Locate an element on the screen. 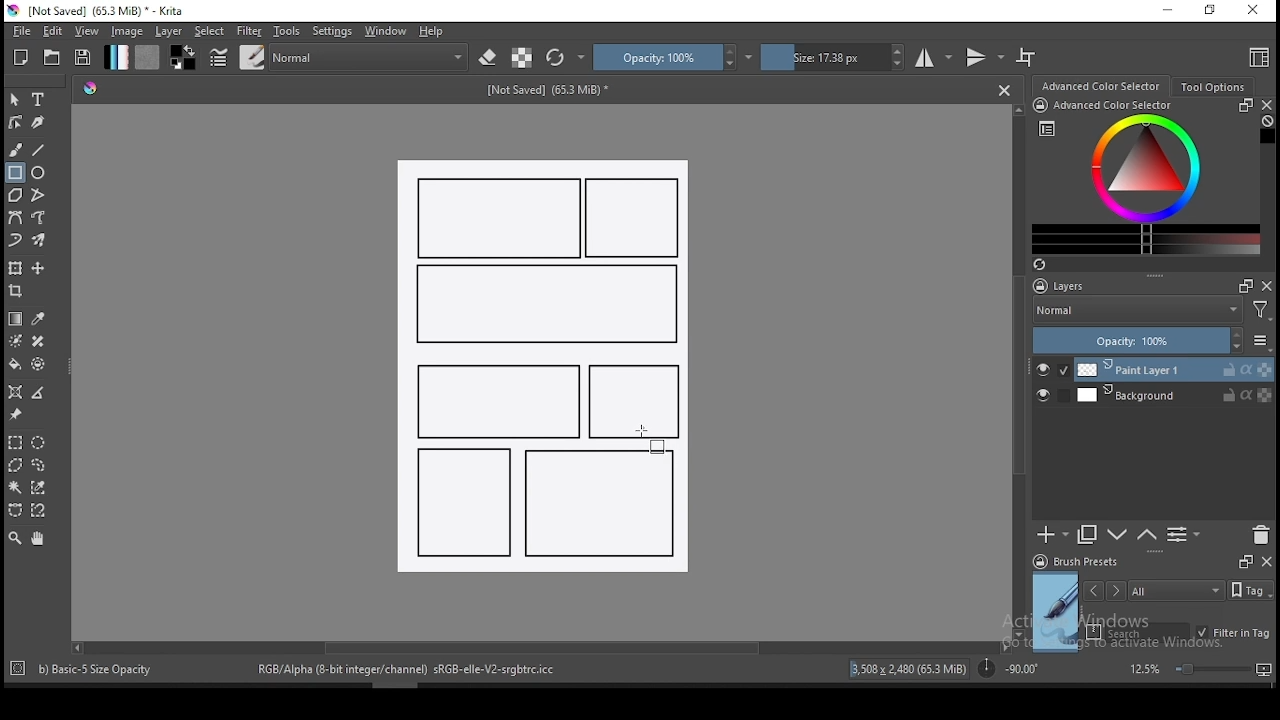 Image resolution: width=1280 pixels, height=720 pixels. advance color selector is located at coordinates (1103, 85).